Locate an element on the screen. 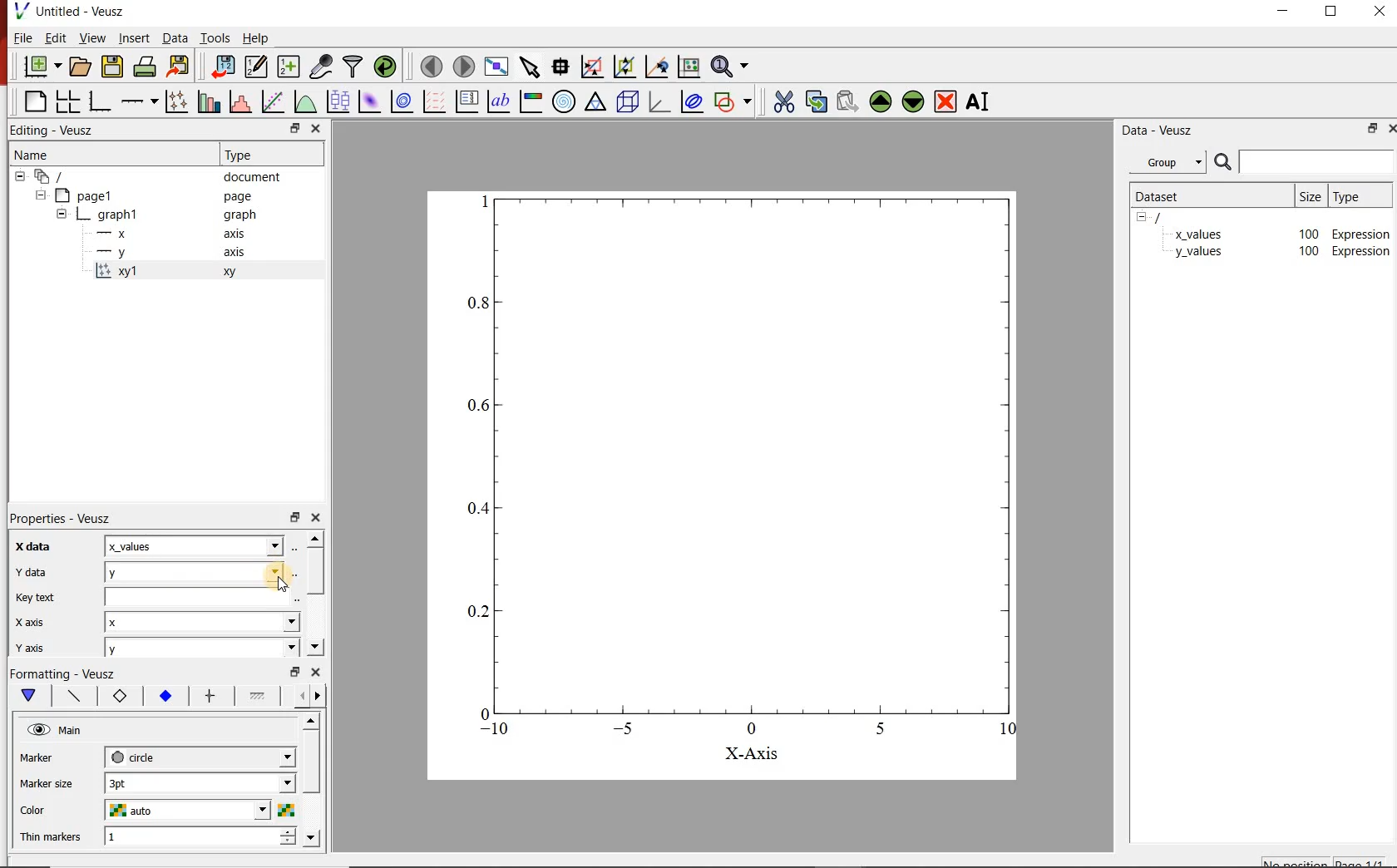 The image size is (1397, 868). veusz logo is located at coordinates (16, 11).